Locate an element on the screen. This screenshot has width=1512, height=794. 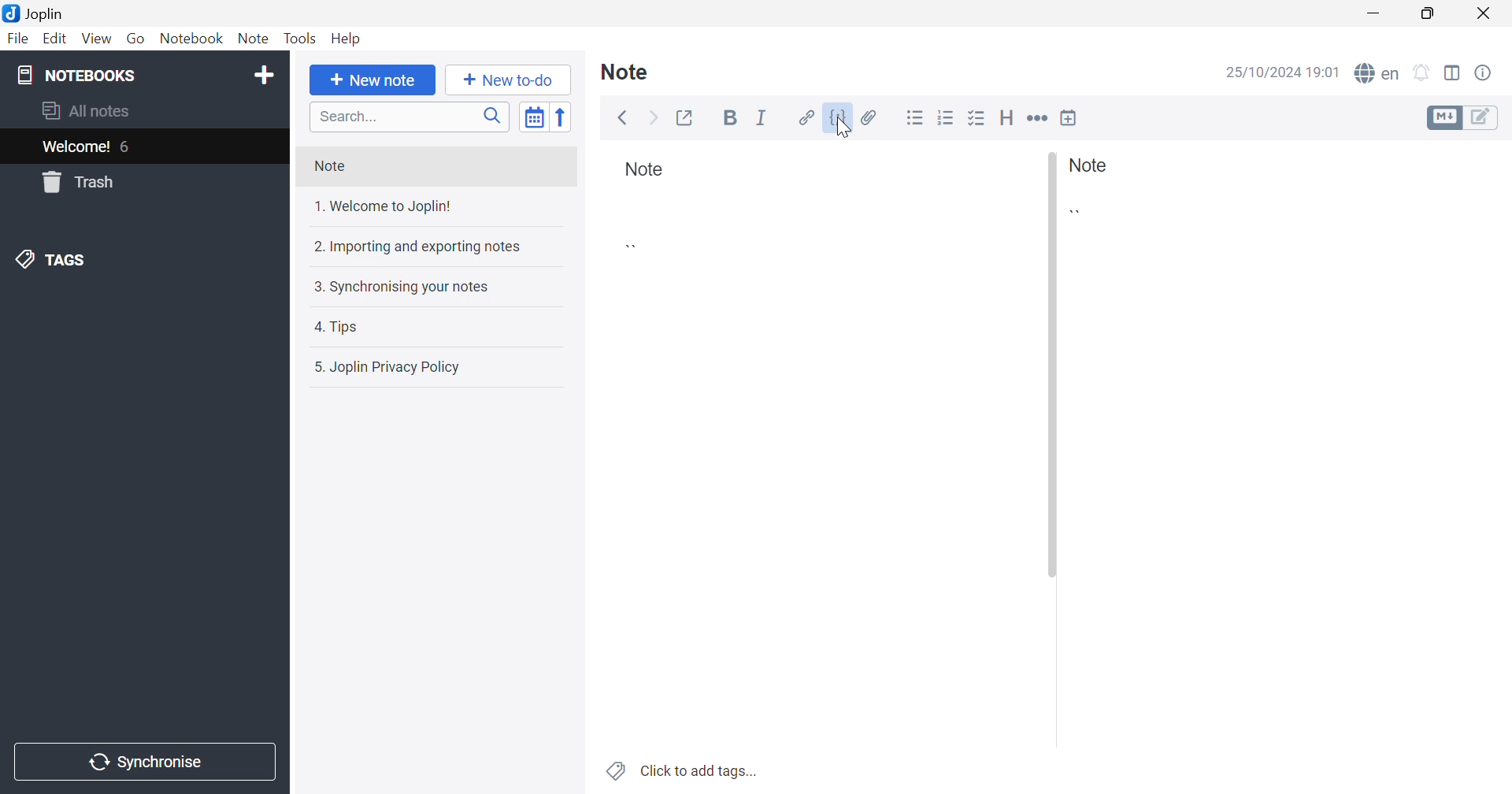
Note is located at coordinates (329, 169).